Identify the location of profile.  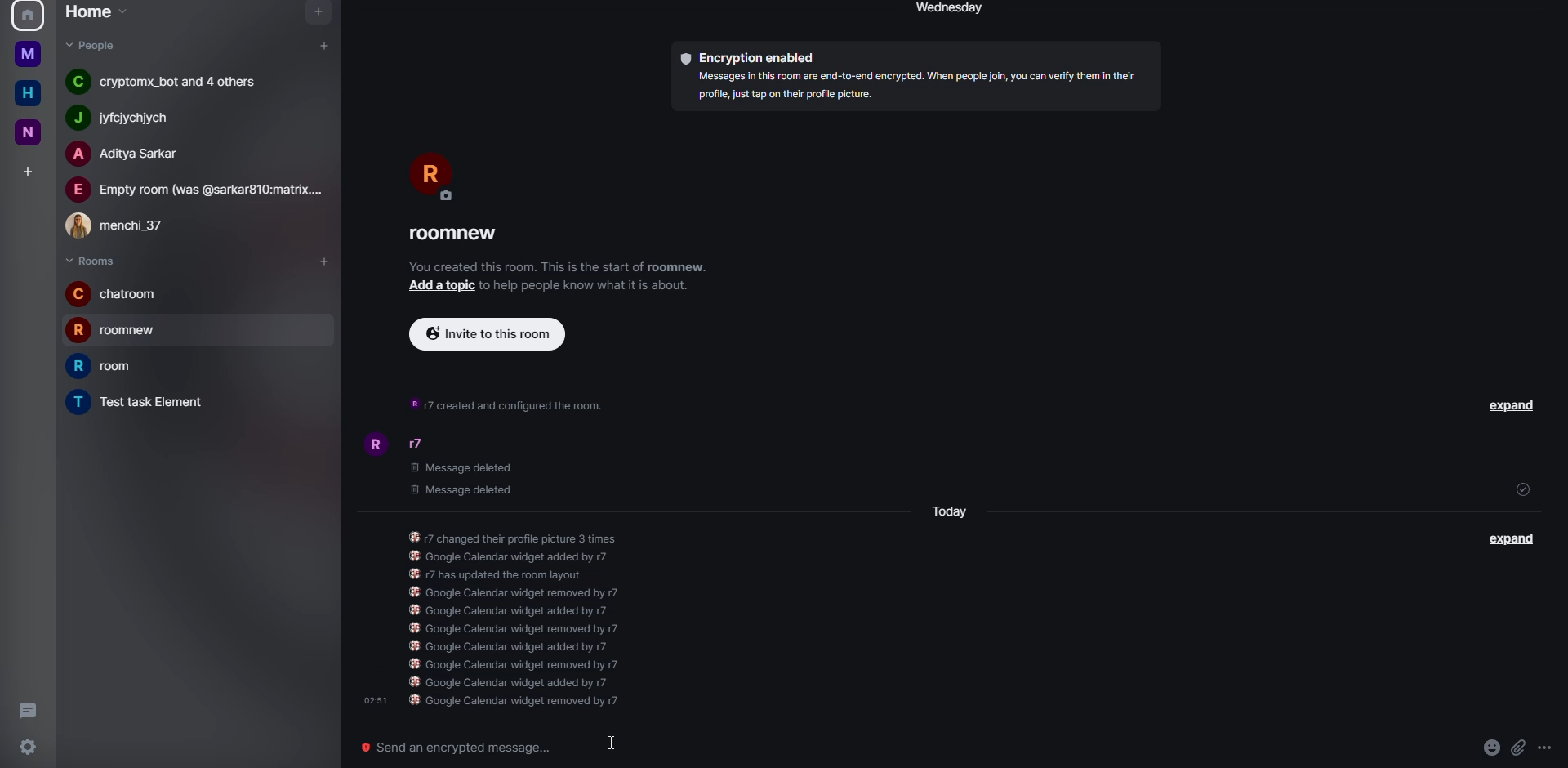
(25, 16).